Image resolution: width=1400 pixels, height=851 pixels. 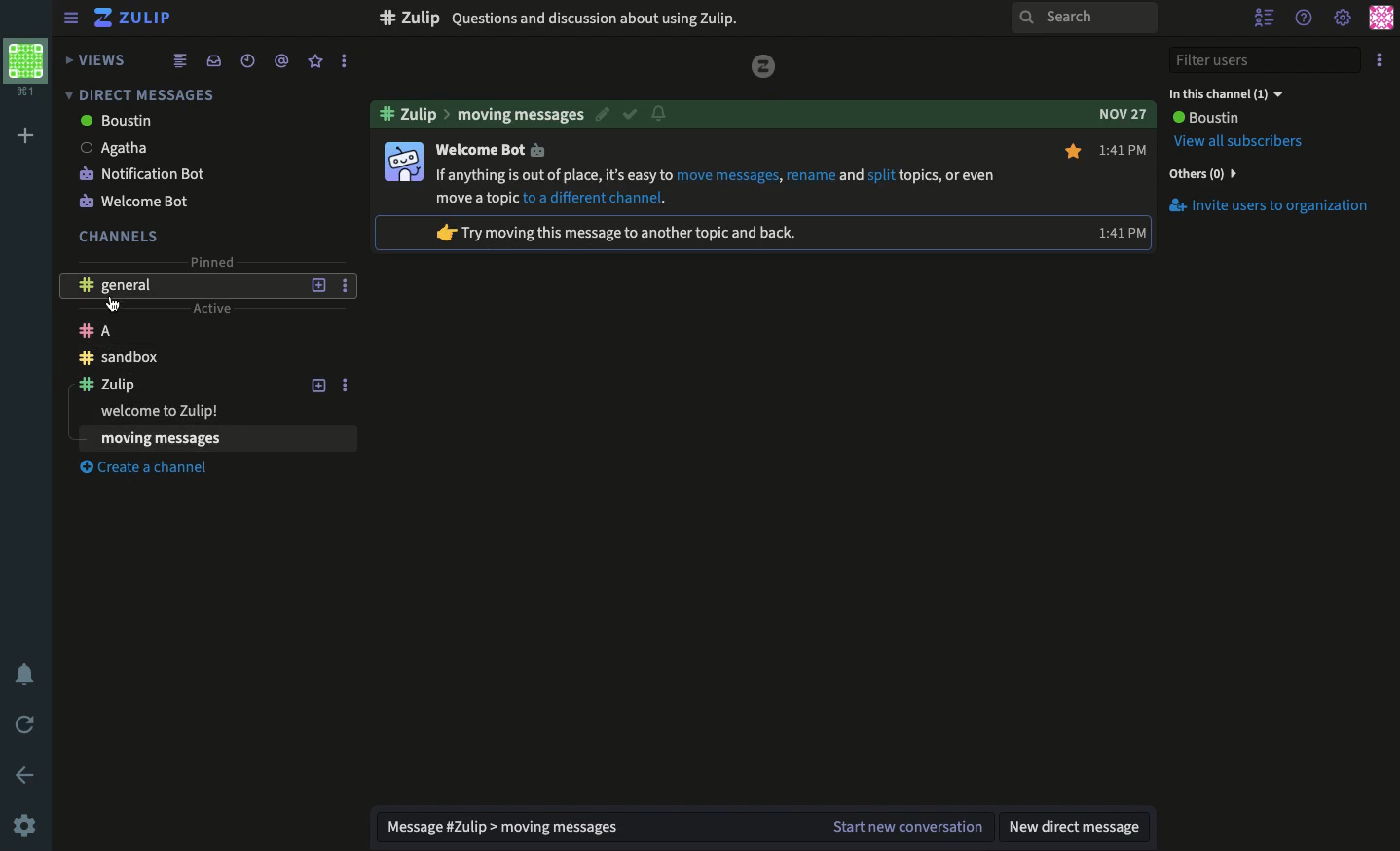 What do you see at coordinates (345, 285) in the screenshot?
I see `options` at bounding box center [345, 285].